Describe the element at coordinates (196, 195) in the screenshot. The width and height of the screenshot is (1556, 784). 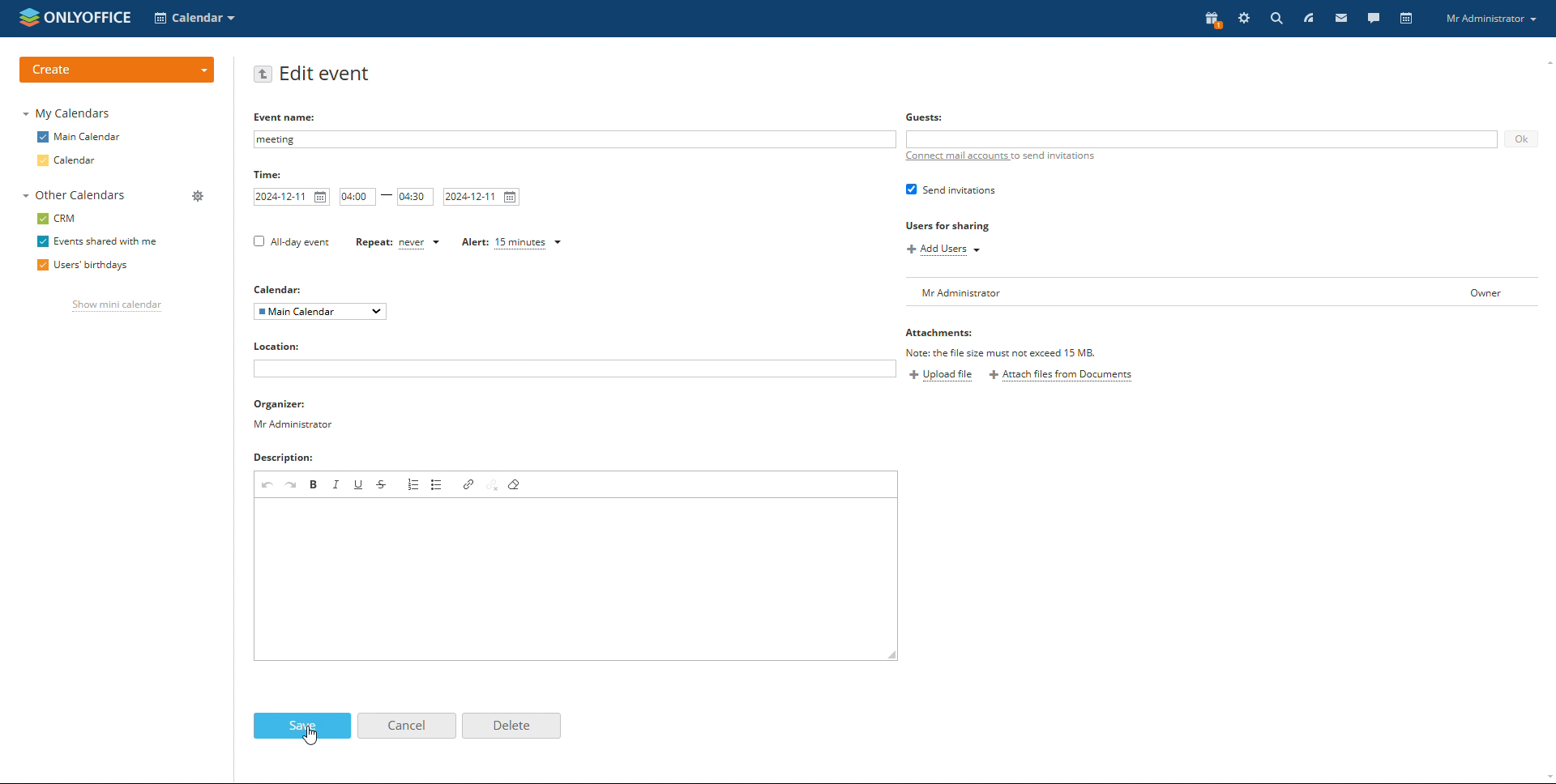
I see `manage` at that location.